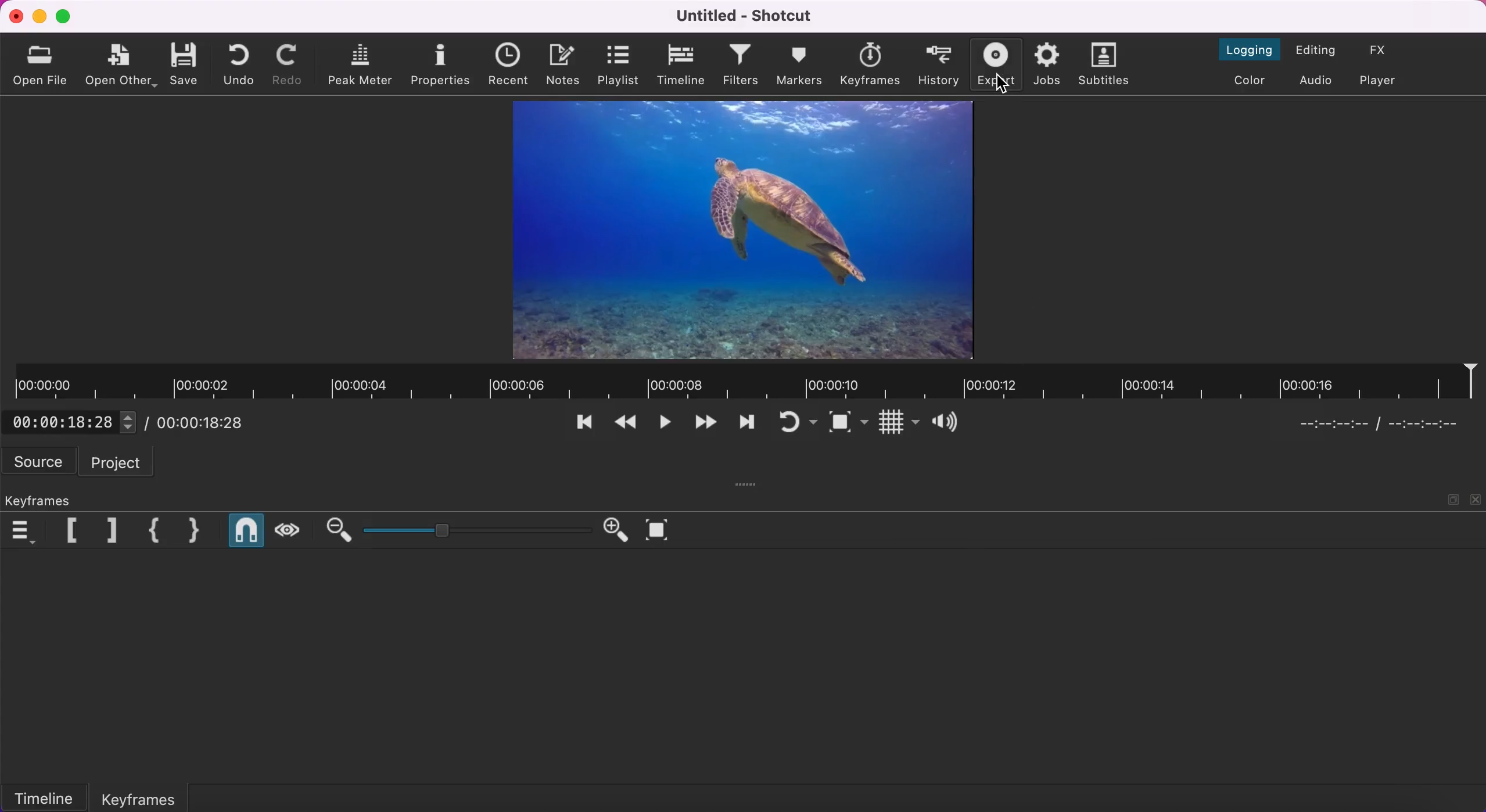 Image resolution: width=1486 pixels, height=812 pixels. I want to click on final duration time graph, so click(1380, 427).